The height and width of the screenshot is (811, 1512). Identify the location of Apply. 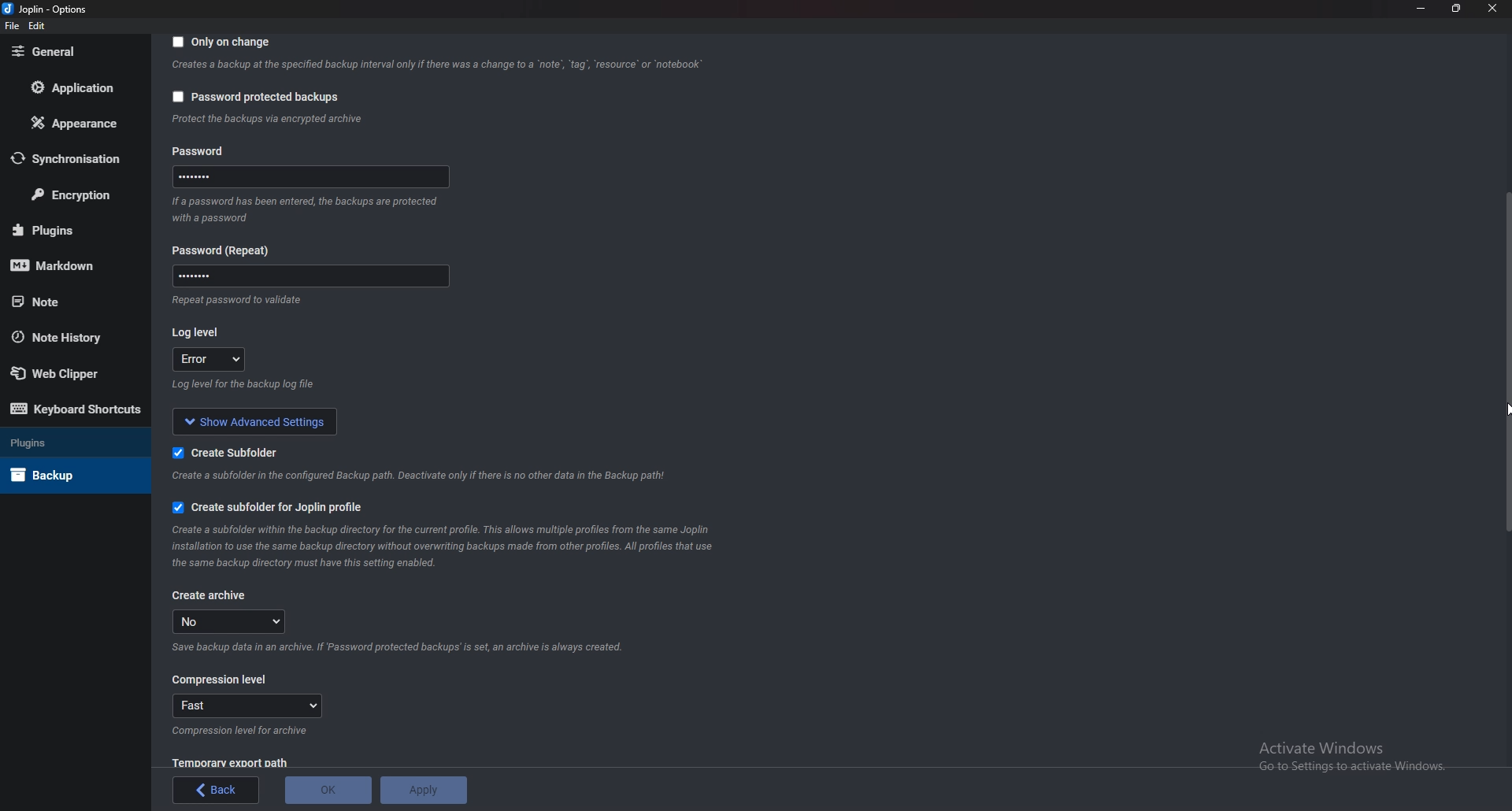
(423, 790).